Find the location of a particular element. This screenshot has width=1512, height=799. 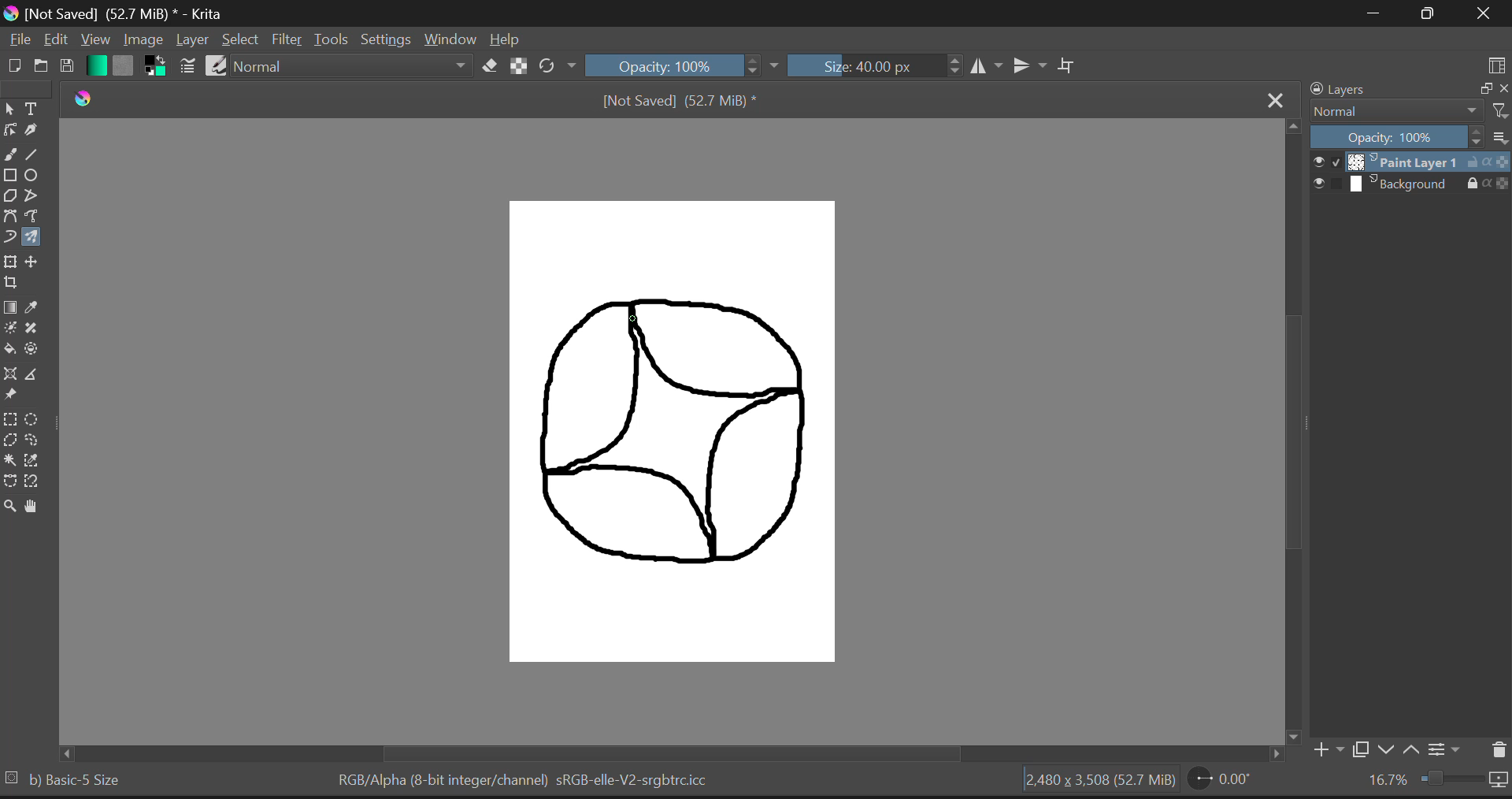

Layer is located at coordinates (192, 40).